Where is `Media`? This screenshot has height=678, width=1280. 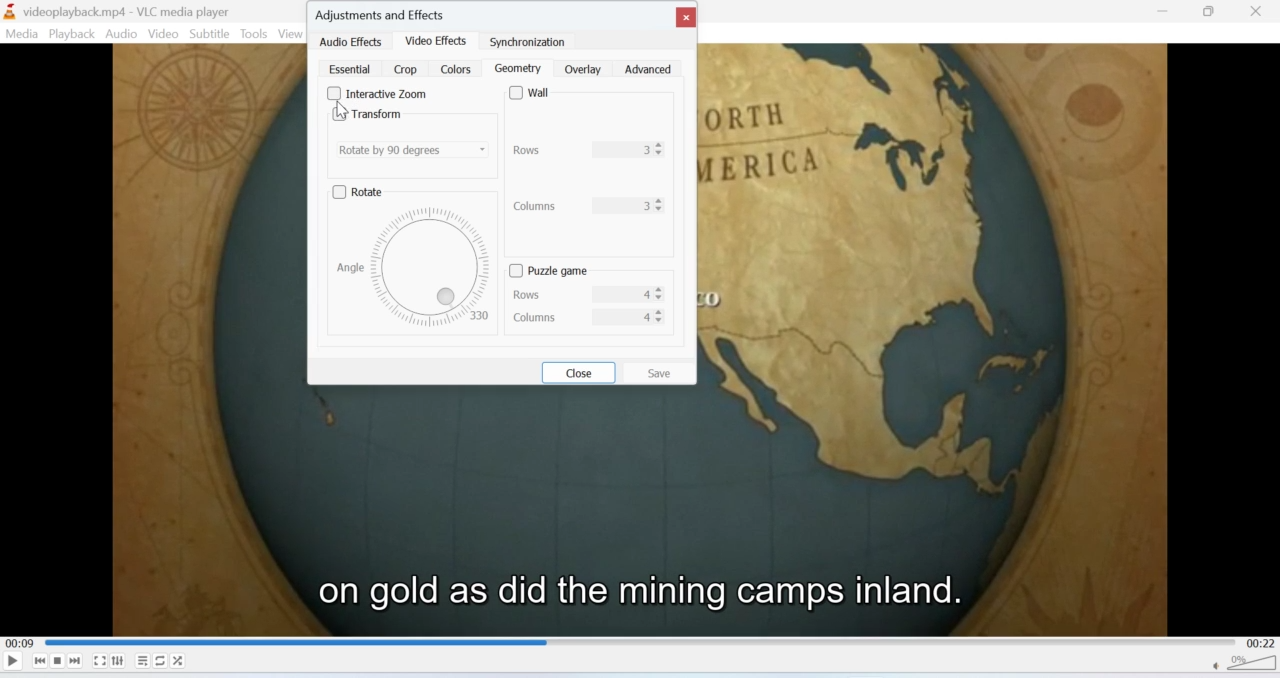 Media is located at coordinates (20, 34).